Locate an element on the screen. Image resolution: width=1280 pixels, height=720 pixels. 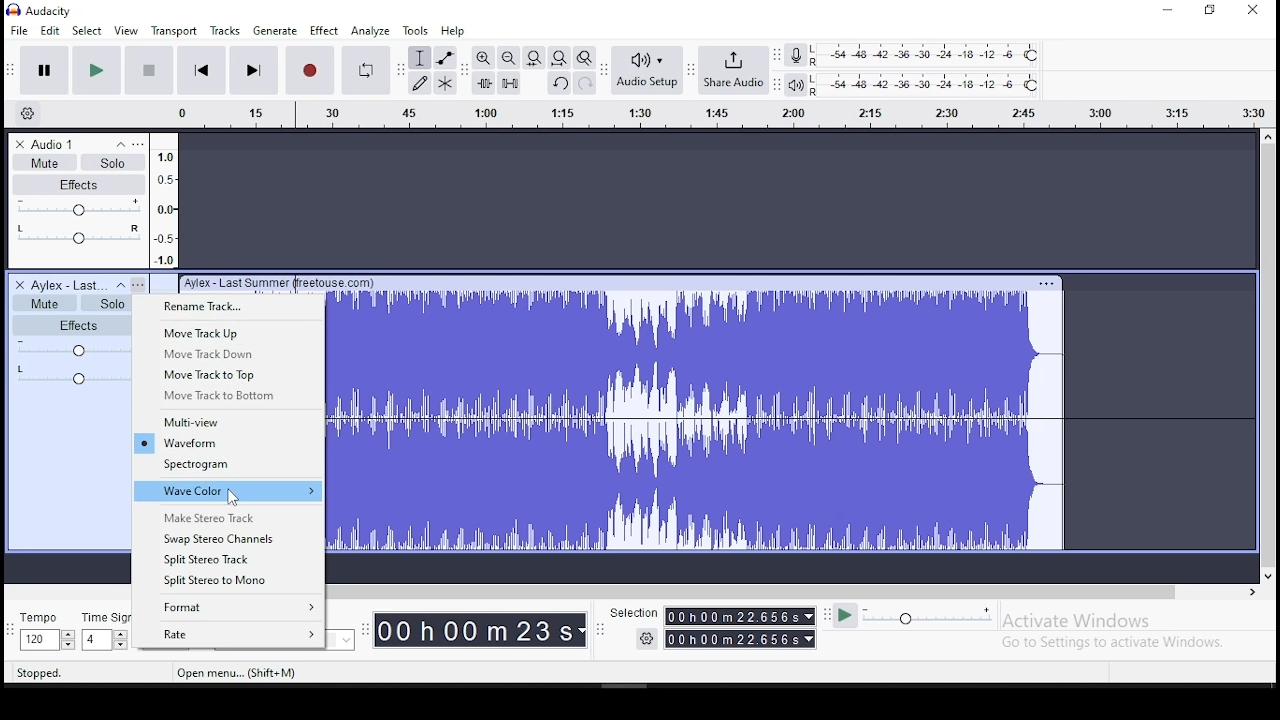
spectogram is located at coordinates (228, 466).